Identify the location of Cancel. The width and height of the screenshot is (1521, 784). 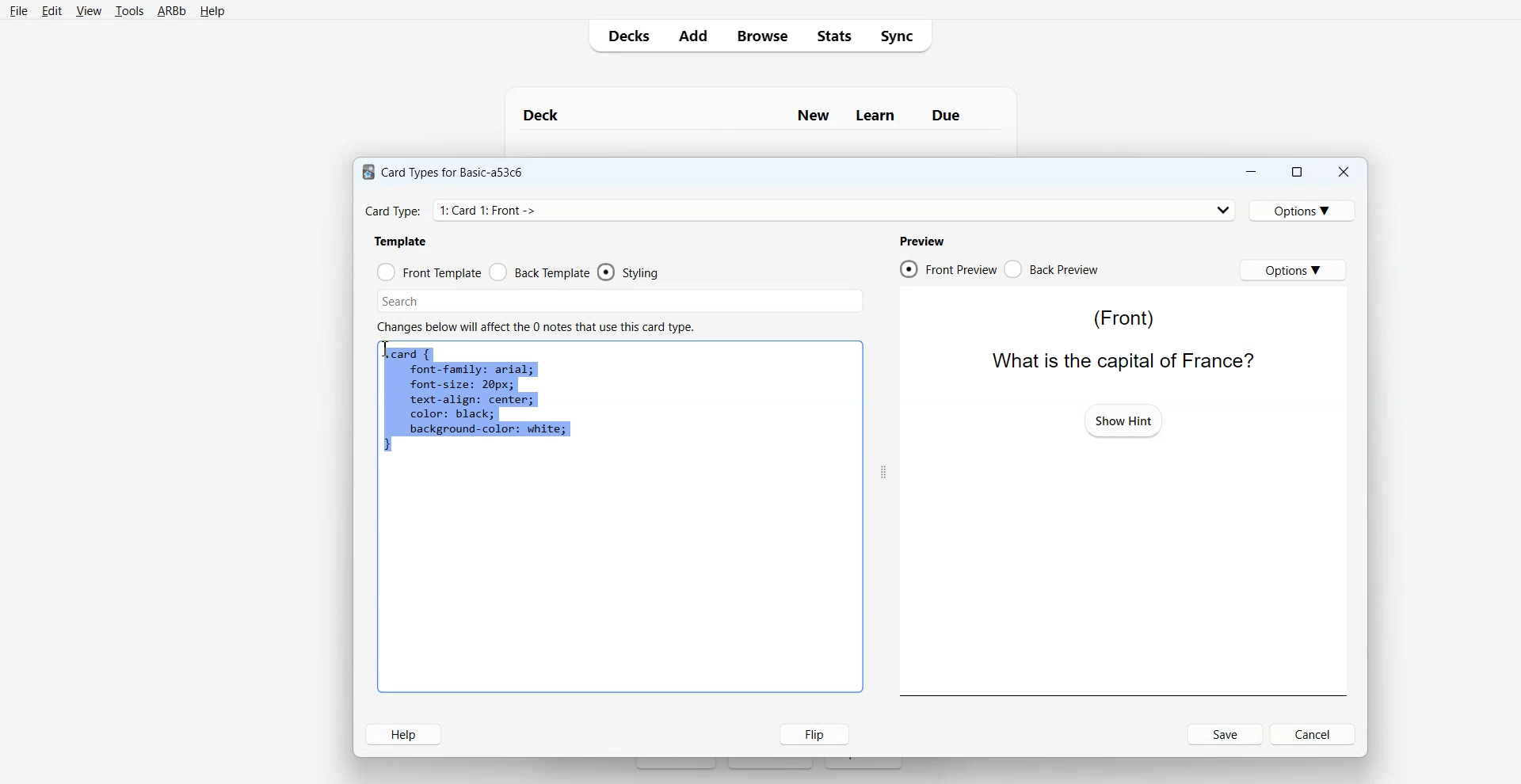
(1315, 733).